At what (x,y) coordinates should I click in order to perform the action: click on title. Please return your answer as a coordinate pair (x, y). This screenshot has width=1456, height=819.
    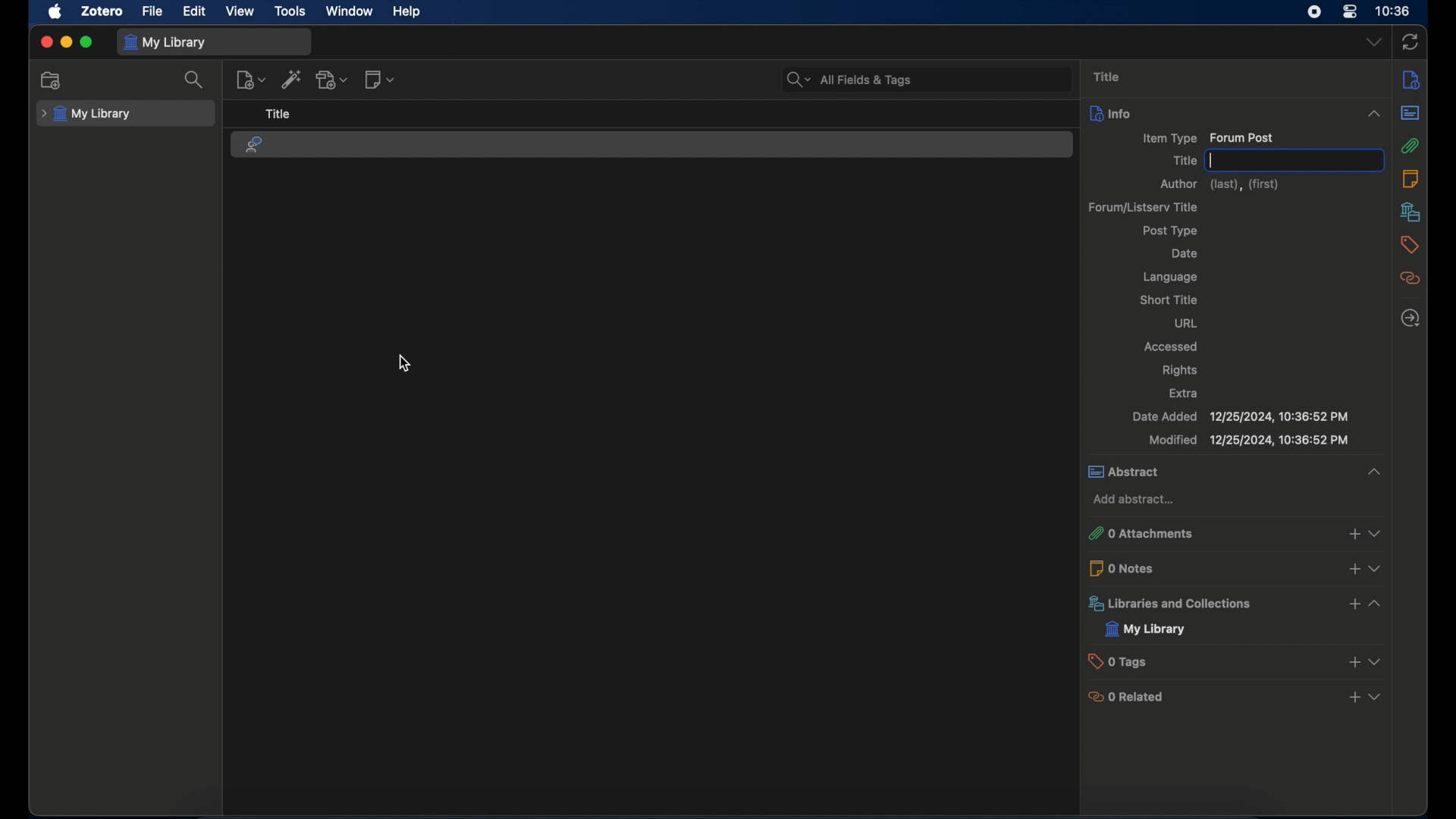
    Looking at the image, I should click on (1109, 77).